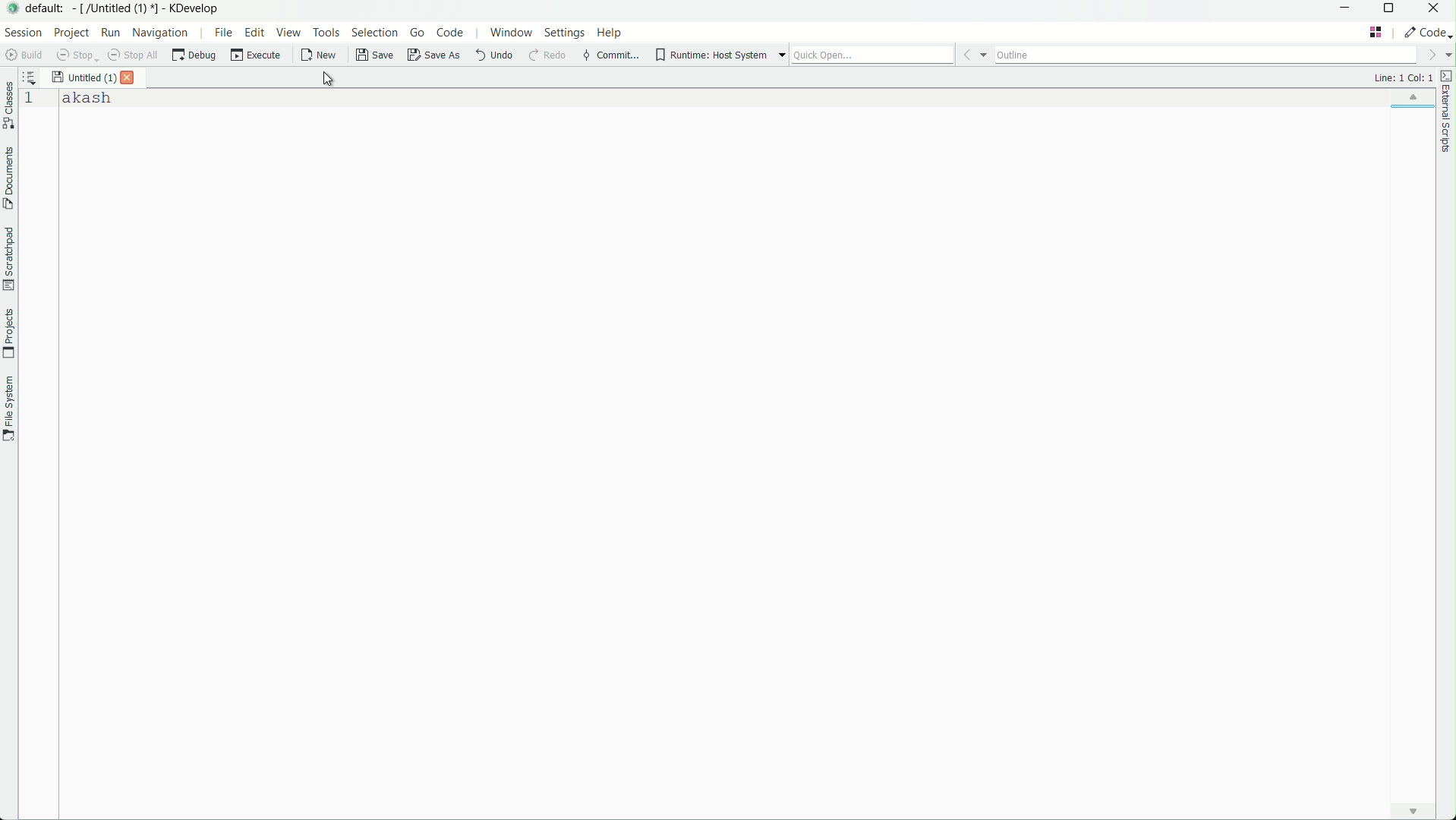 The image size is (1456, 820). I want to click on external scripts, so click(1447, 110).